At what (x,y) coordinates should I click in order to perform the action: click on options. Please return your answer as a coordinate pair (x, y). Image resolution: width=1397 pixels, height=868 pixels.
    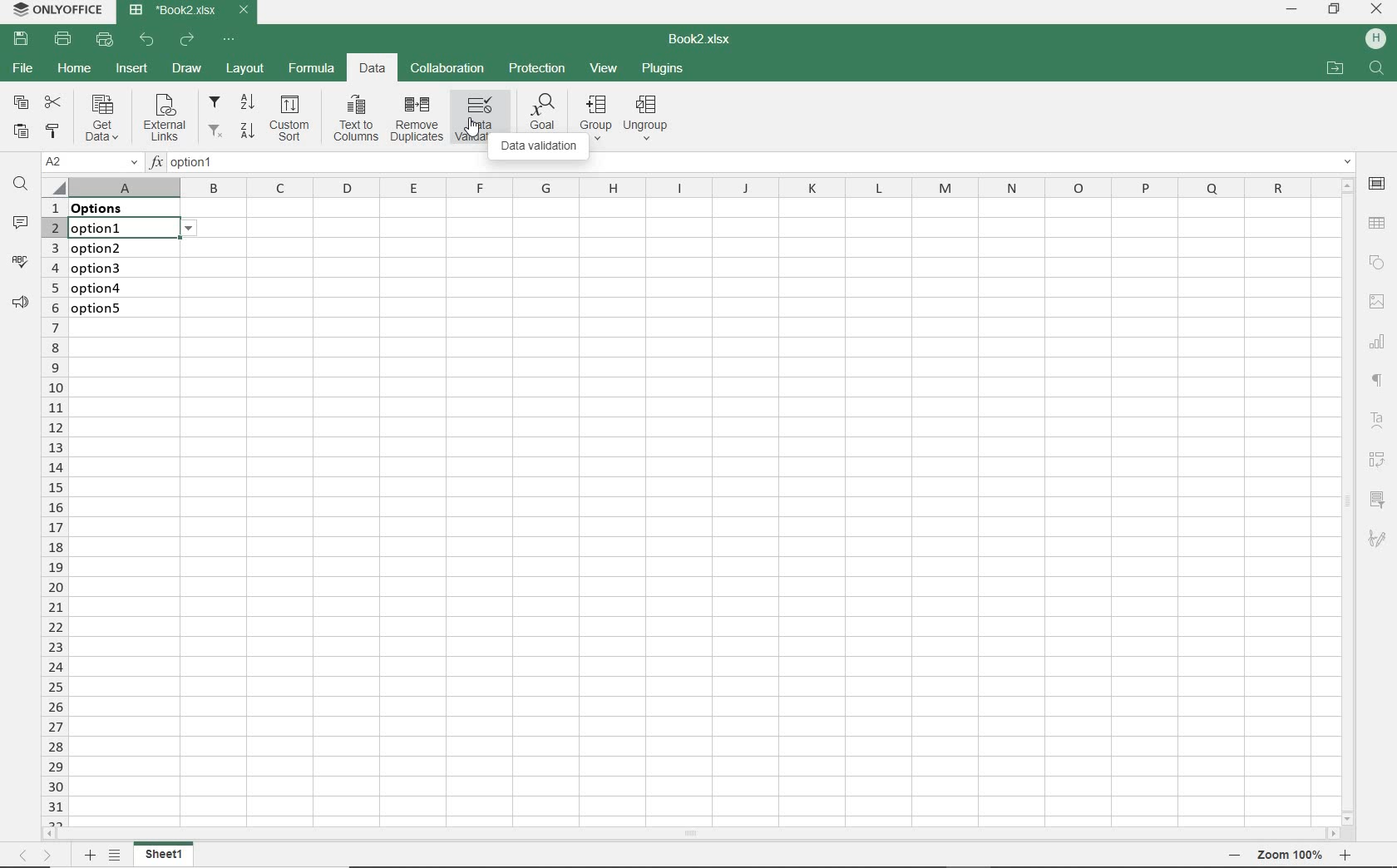
    Looking at the image, I should click on (194, 228).